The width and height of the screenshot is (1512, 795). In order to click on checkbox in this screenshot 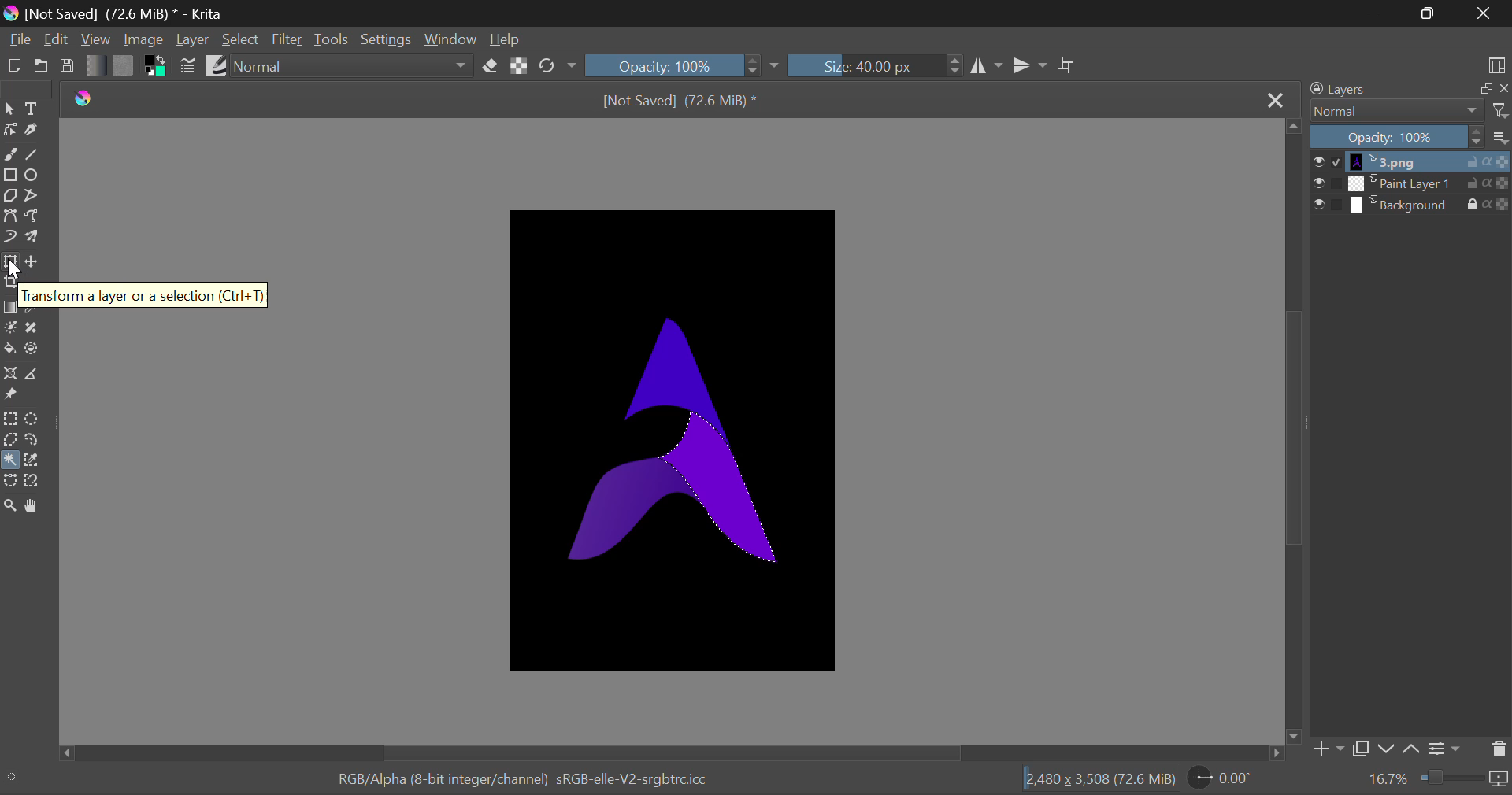, I will do `click(1325, 205)`.